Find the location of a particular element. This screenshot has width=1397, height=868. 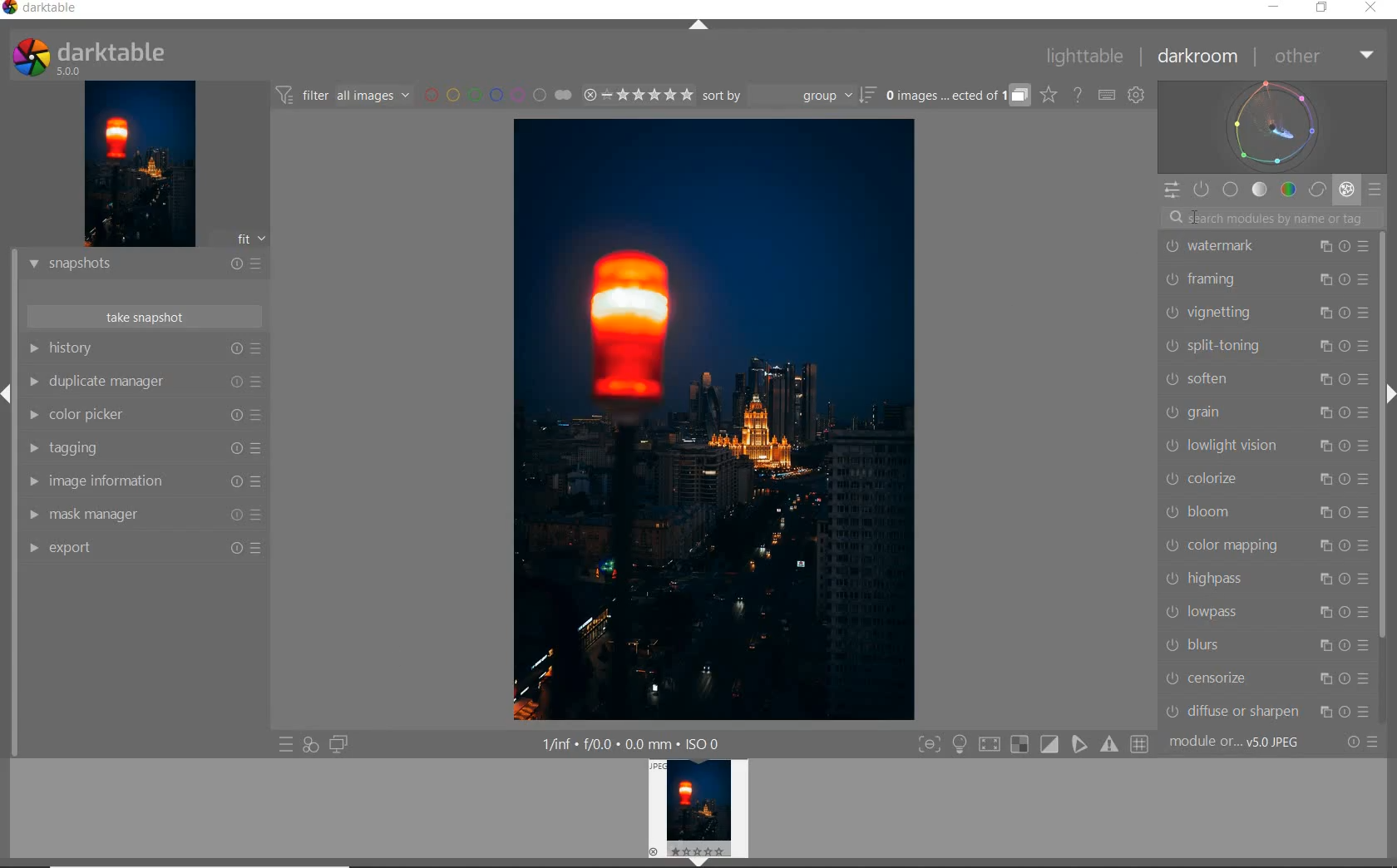

darktable is located at coordinates (63, 9).